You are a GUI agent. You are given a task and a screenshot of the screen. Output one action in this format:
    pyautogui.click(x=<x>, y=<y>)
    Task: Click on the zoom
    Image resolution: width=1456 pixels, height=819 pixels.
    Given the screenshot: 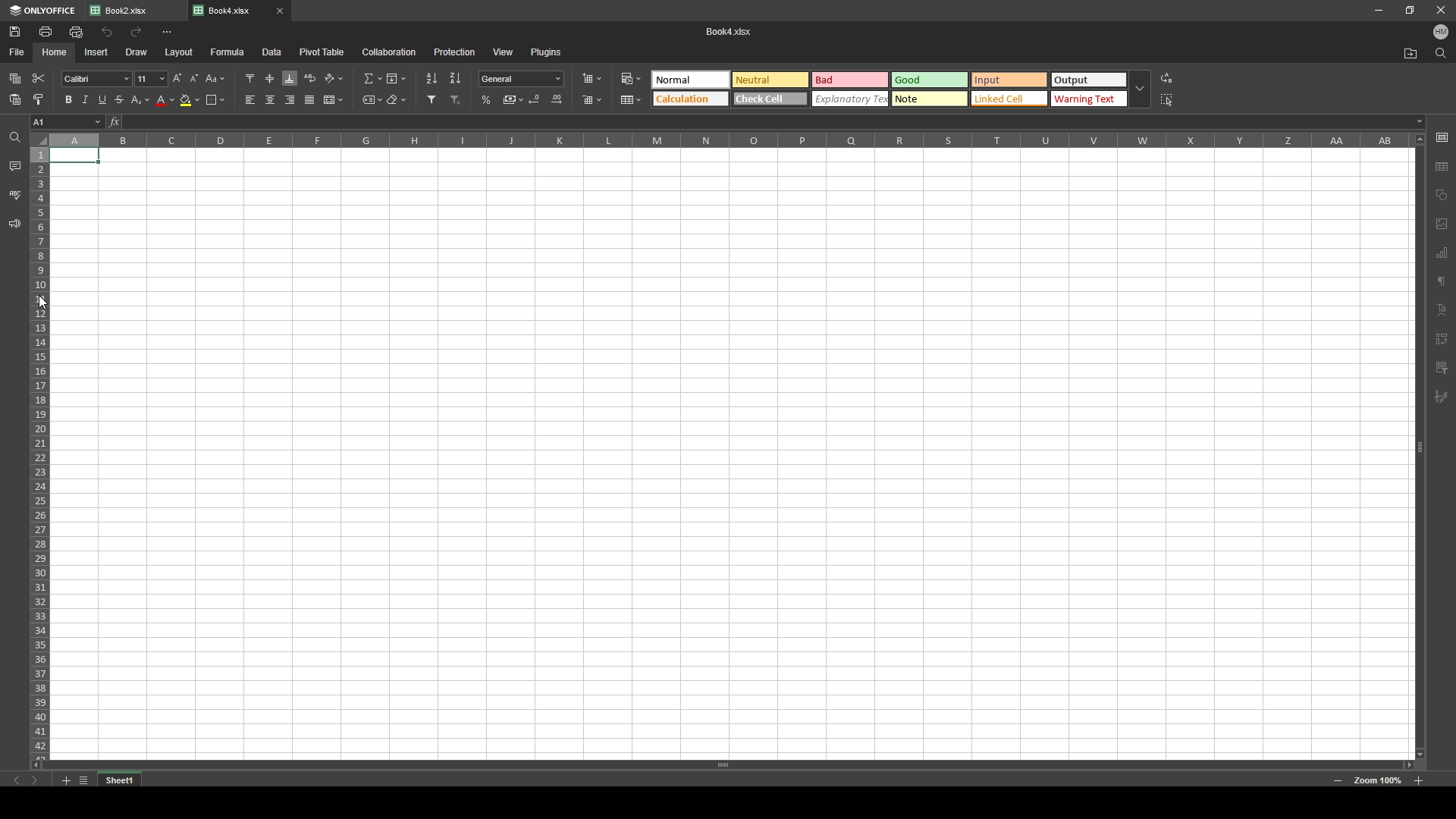 What is the action you would take?
    pyautogui.click(x=1376, y=780)
    